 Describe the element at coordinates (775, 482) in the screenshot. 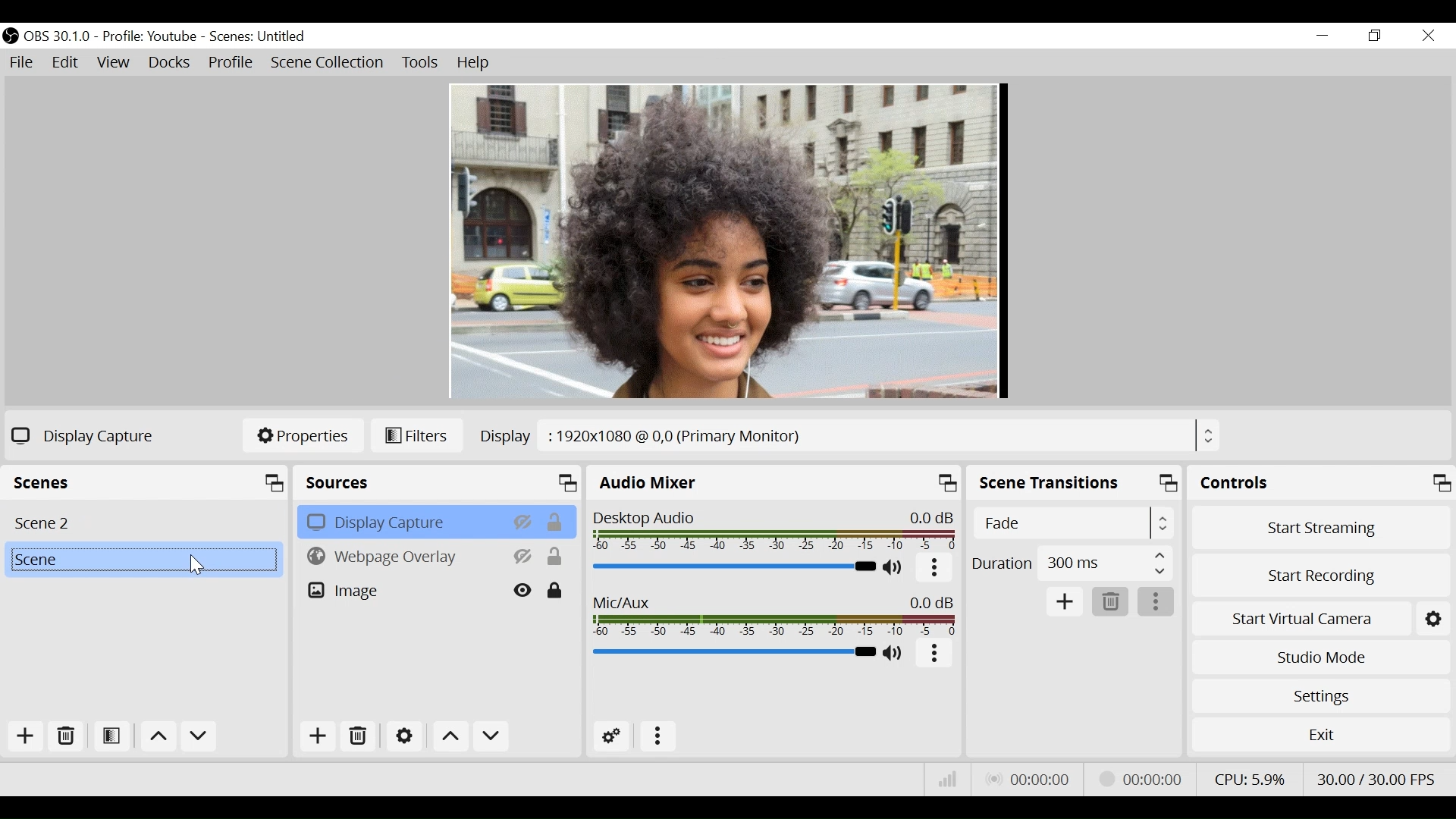

I see `Audio Mixer` at that location.